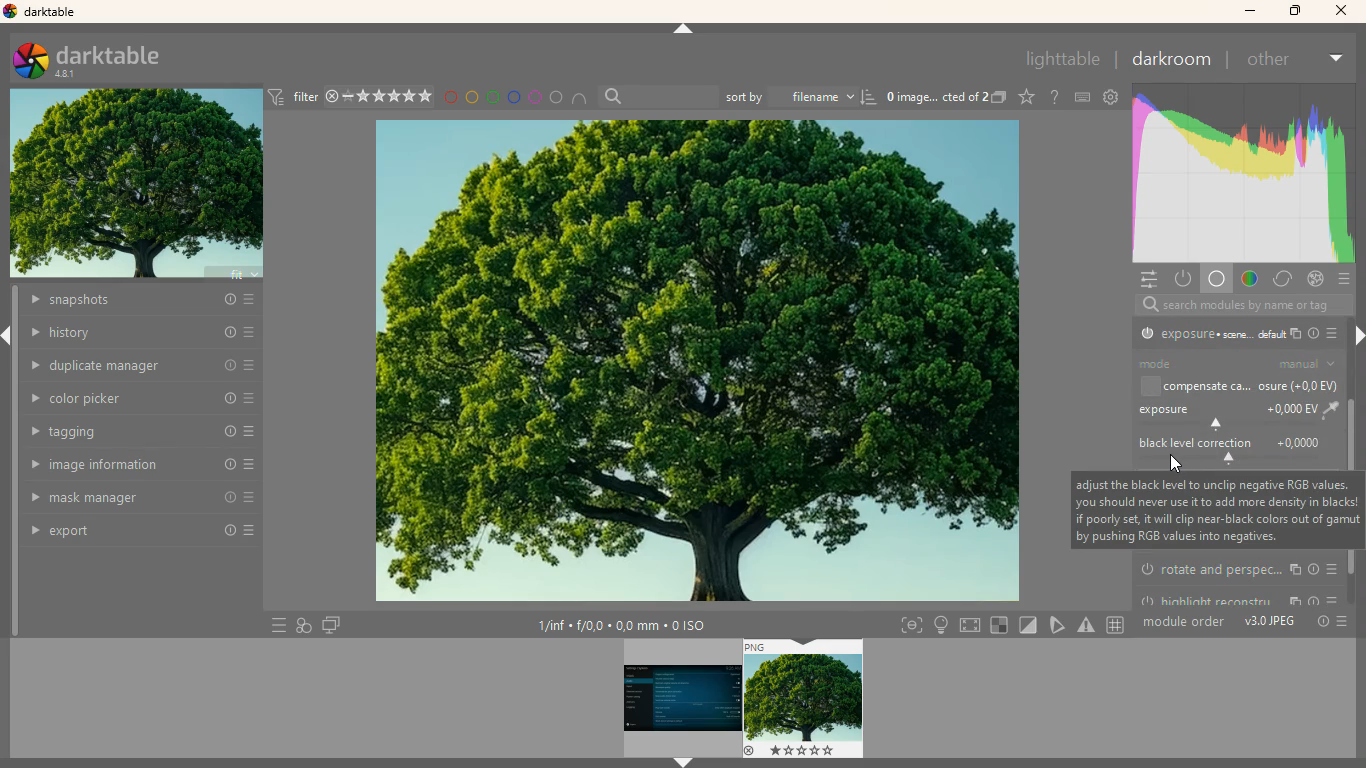  Describe the element at coordinates (137, 364) in the screenshot. I see `duplicate manager` at that location.